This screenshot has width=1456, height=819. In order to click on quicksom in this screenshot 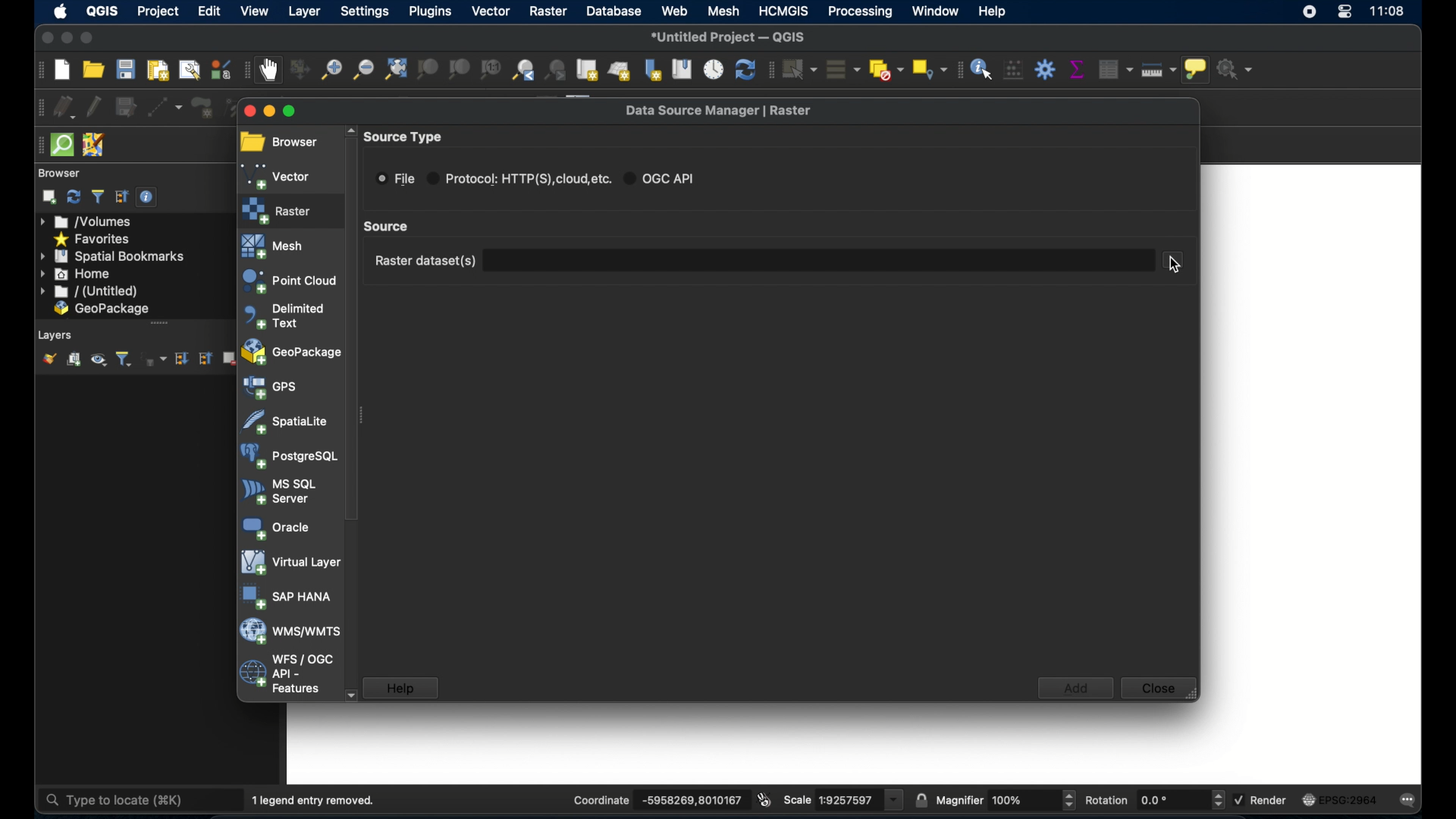, I will do `click(62, 145)`.